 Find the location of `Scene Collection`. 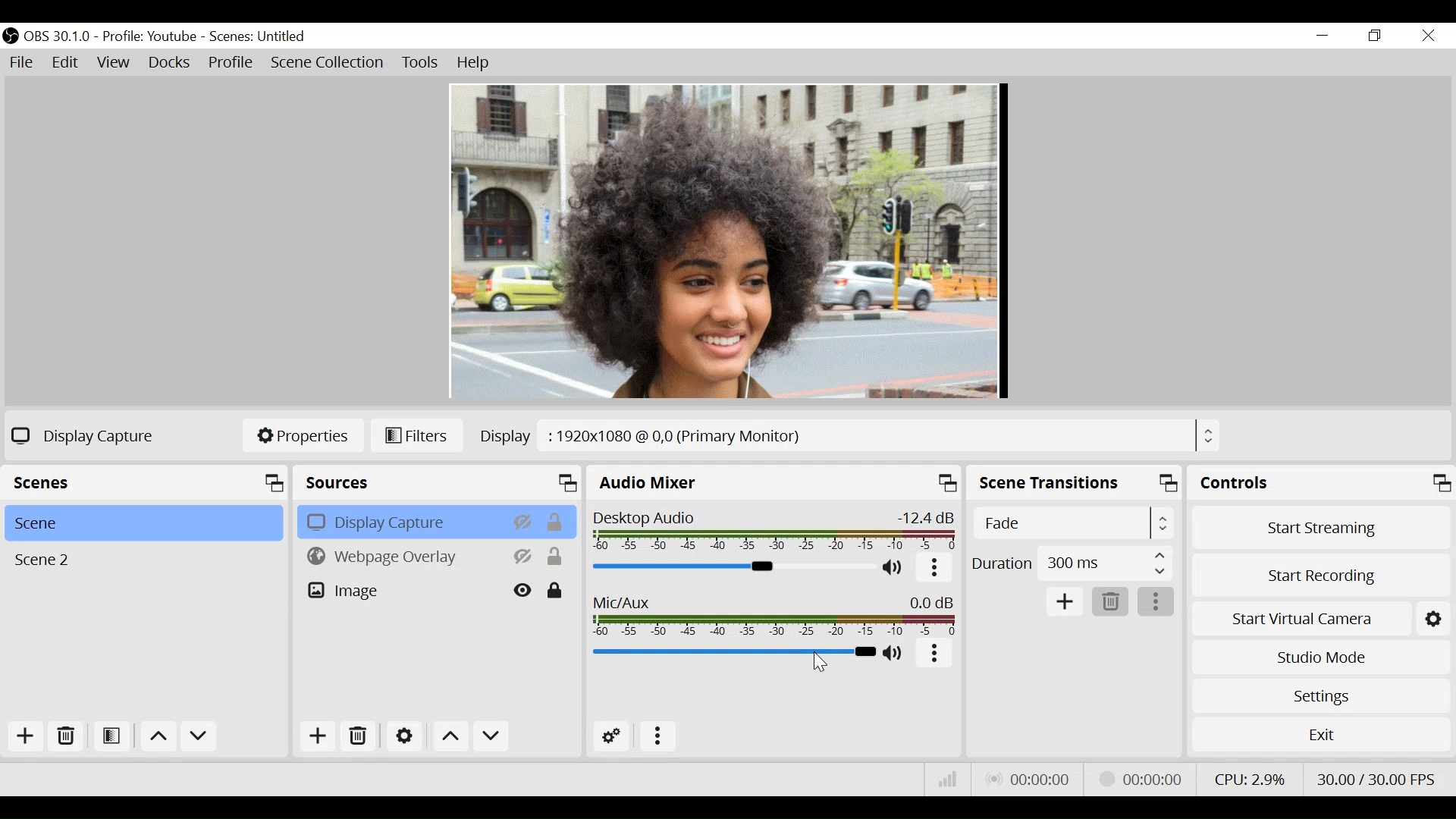

Scene Collection is located at coordinates (327, 61).